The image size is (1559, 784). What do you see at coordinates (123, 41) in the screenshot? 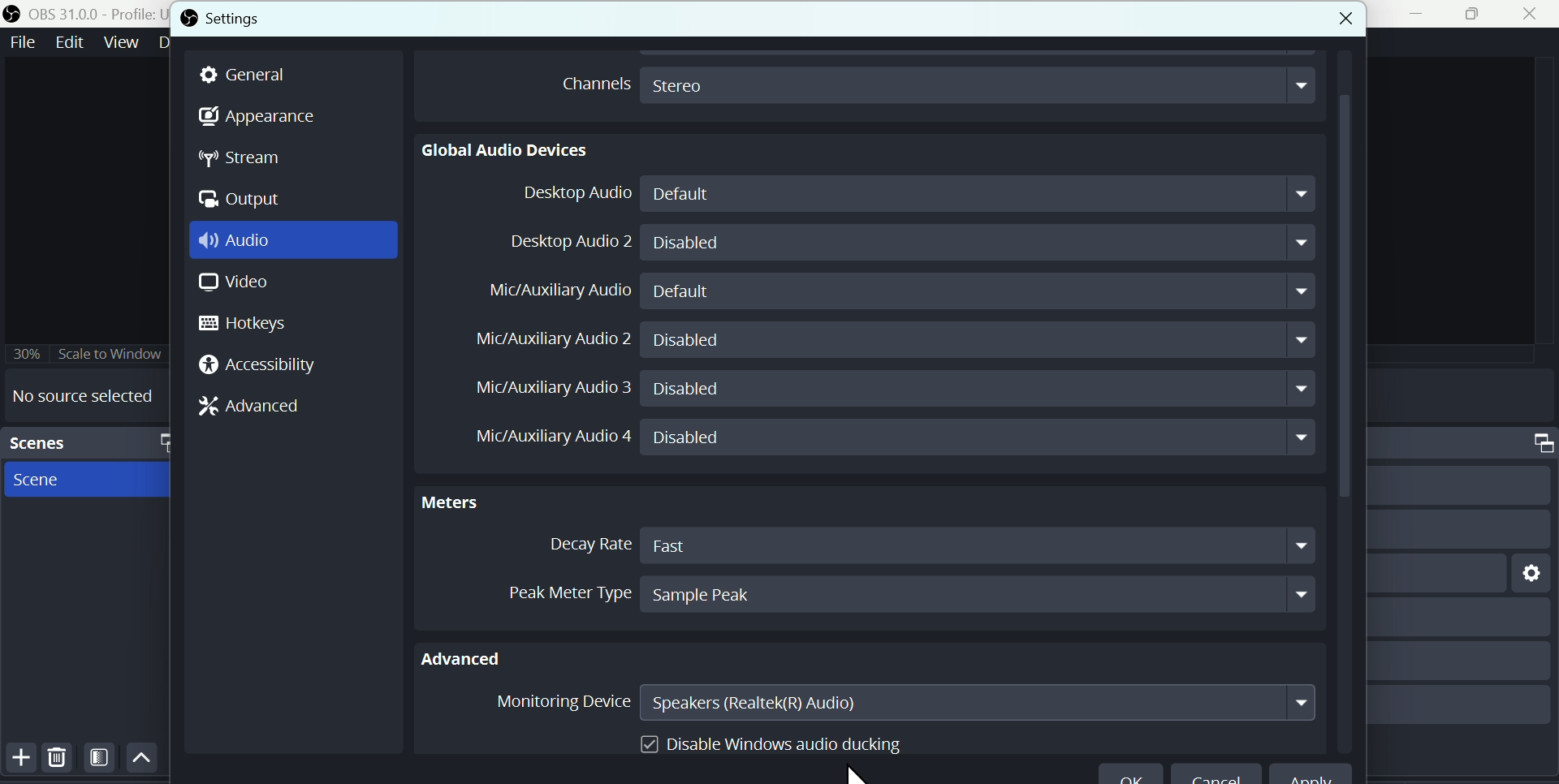
I see `Views` at bounding box center [123, 41].